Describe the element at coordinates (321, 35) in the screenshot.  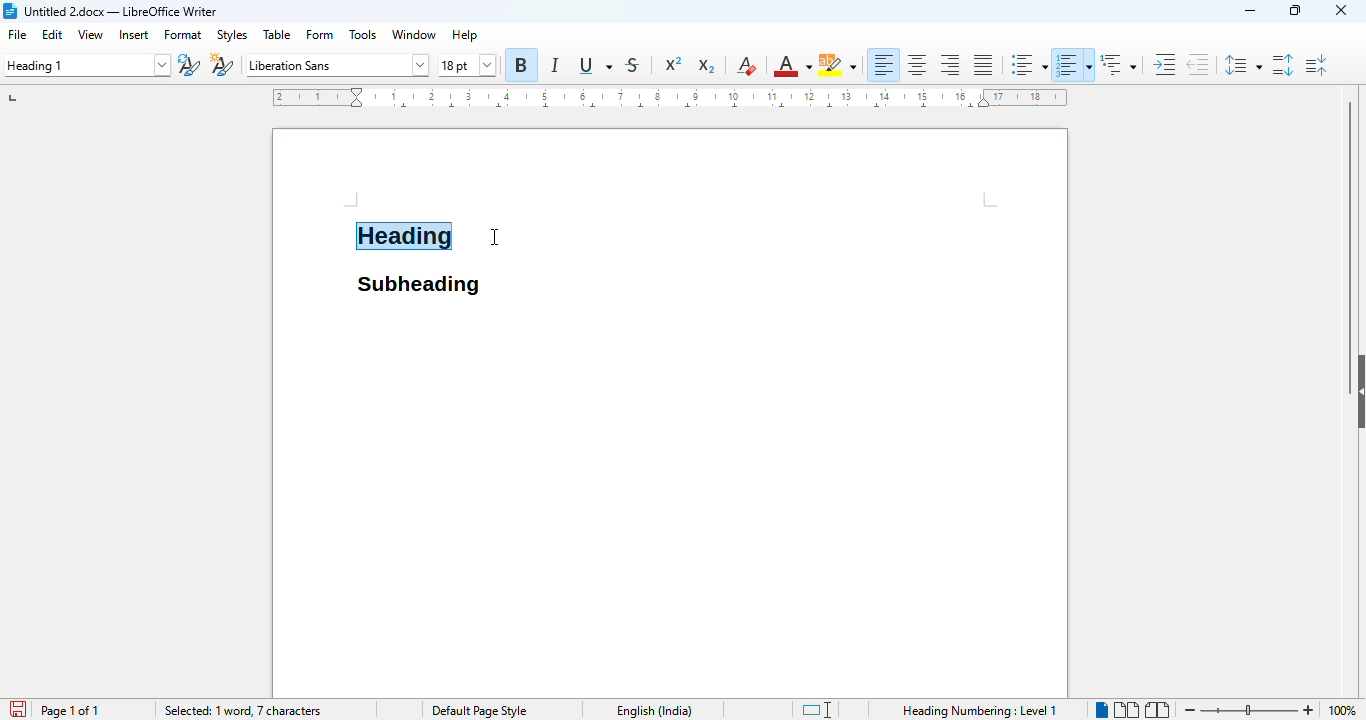
I see `form` at that location.